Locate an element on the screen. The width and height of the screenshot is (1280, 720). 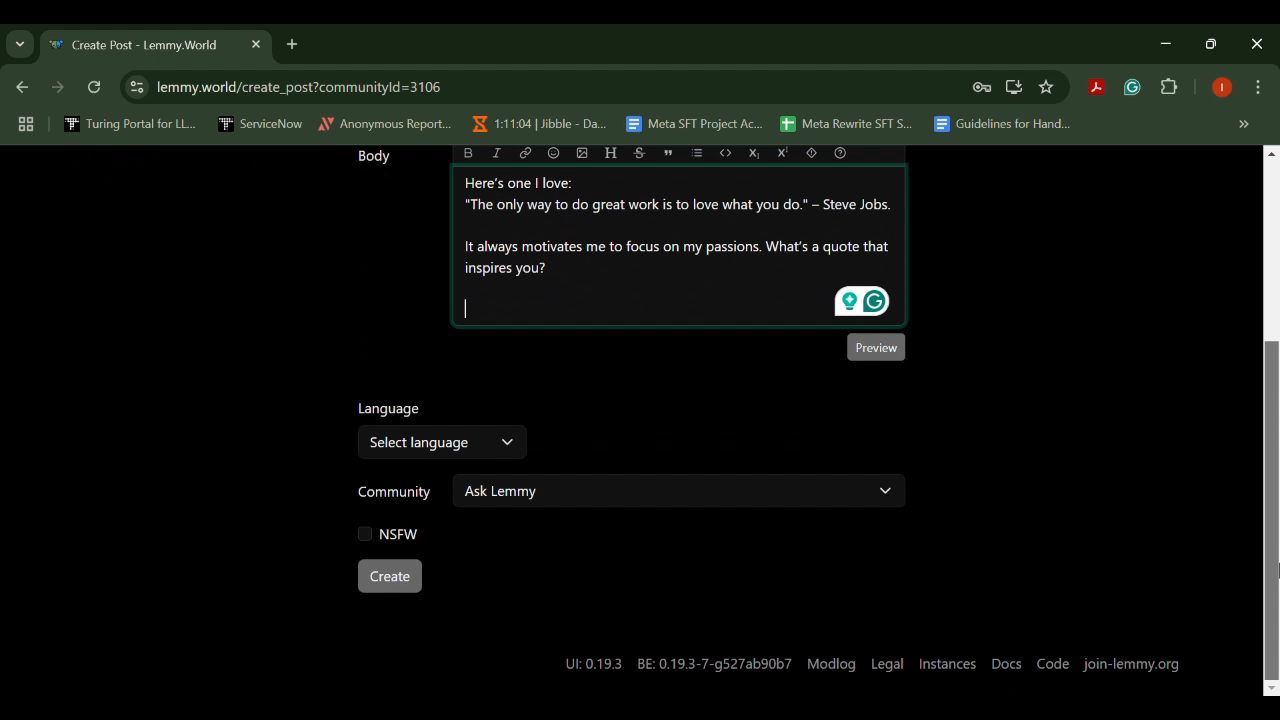
Docs is located at coordinates (1007, 662).